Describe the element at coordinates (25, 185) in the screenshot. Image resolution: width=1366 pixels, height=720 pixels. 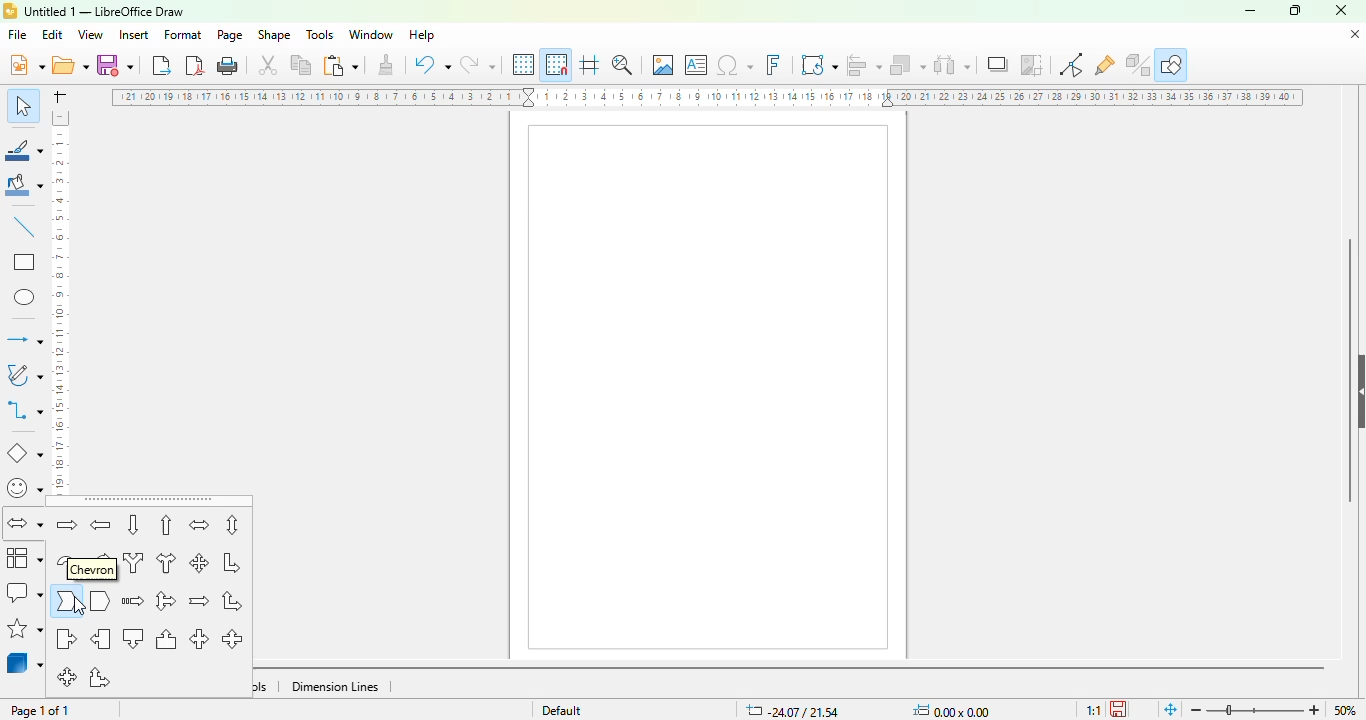
I see `fill color` at that location.